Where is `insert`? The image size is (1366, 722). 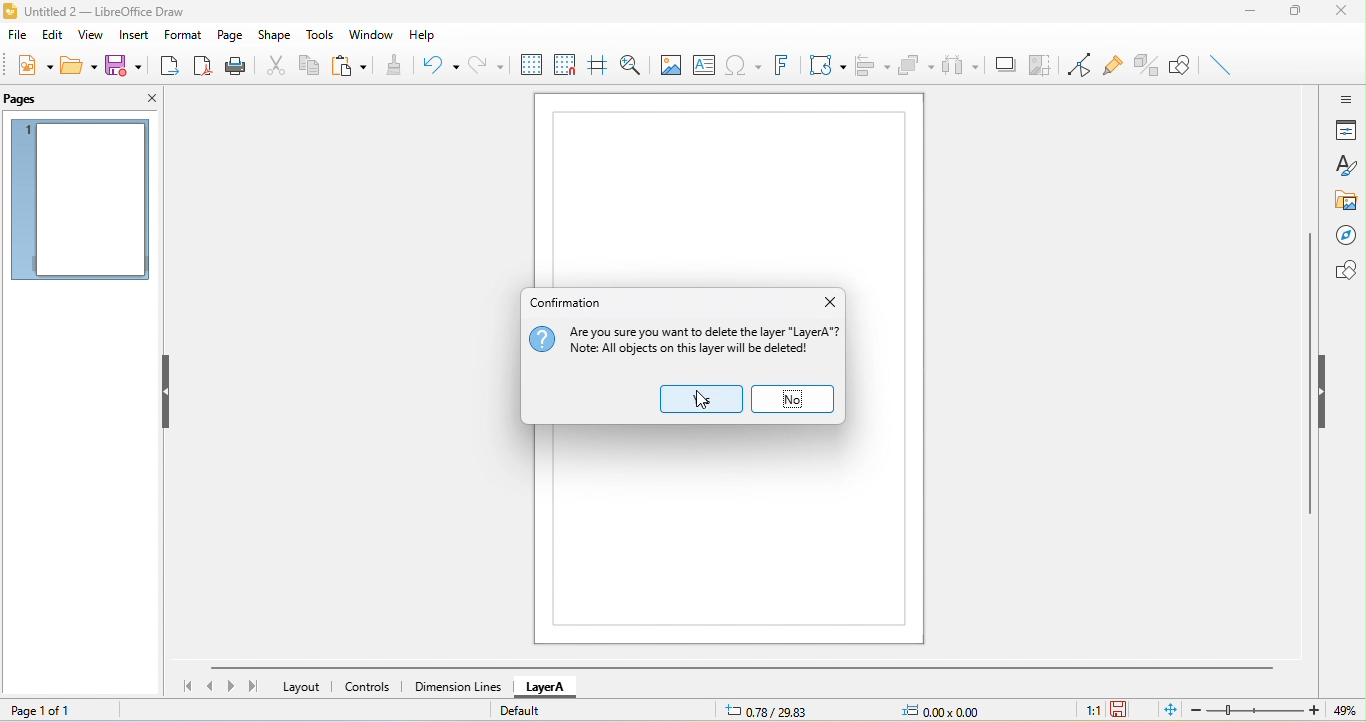 insert is located at coordinates (136, 36).